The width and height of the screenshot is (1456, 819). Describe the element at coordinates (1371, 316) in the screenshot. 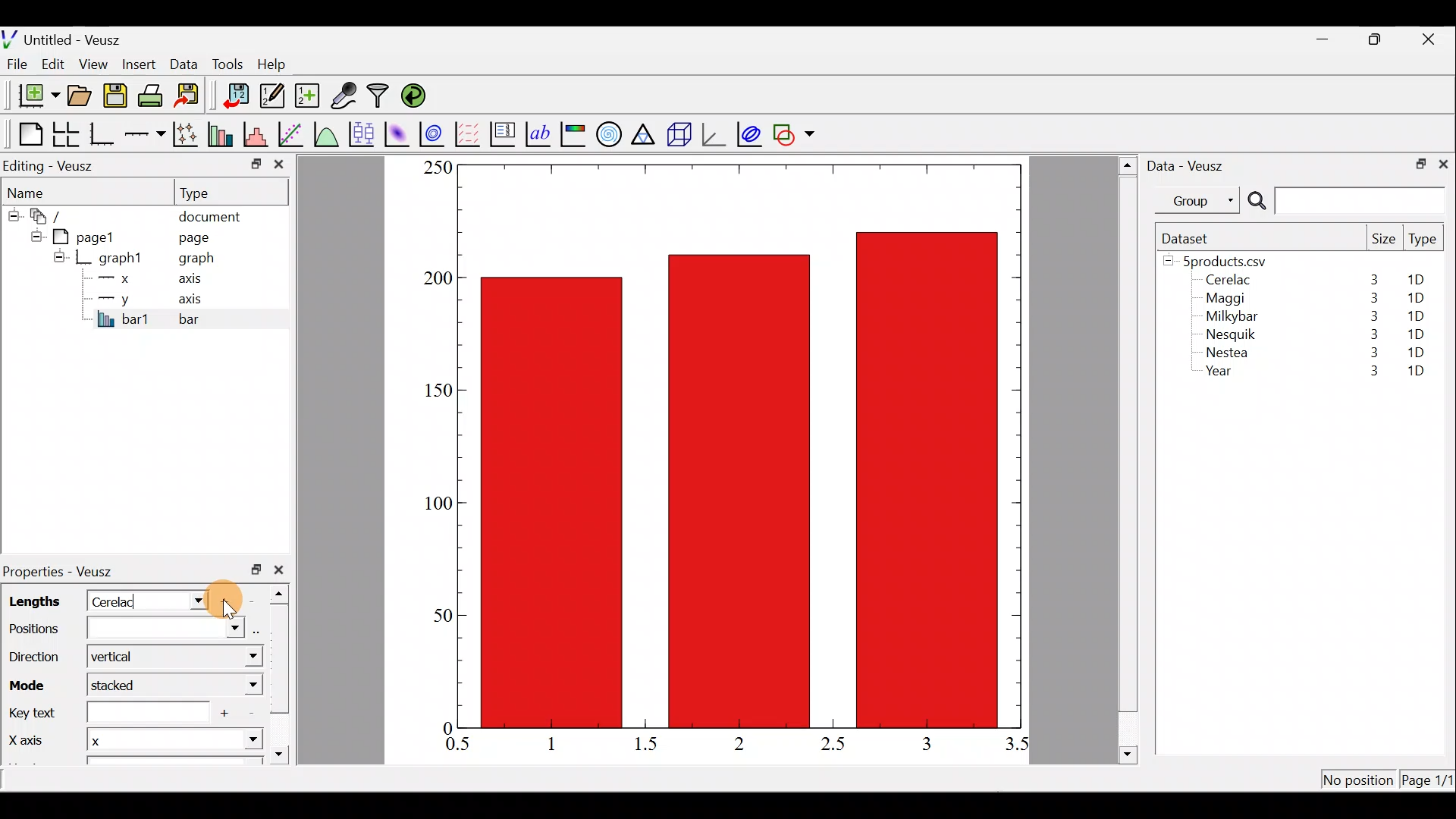

I see `3` at that location.